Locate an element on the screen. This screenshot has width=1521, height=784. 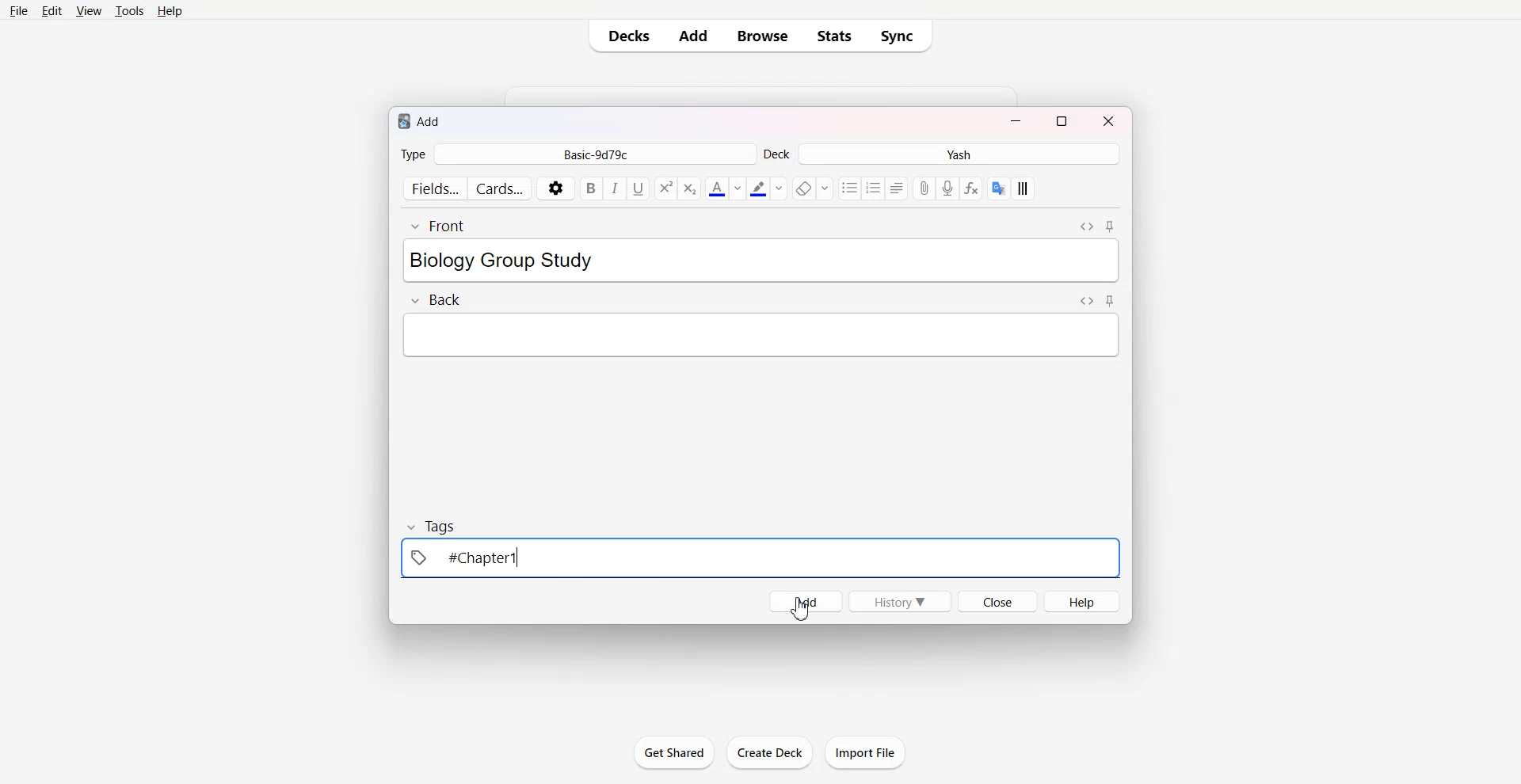
Fields is located at coordinates (433, 188).